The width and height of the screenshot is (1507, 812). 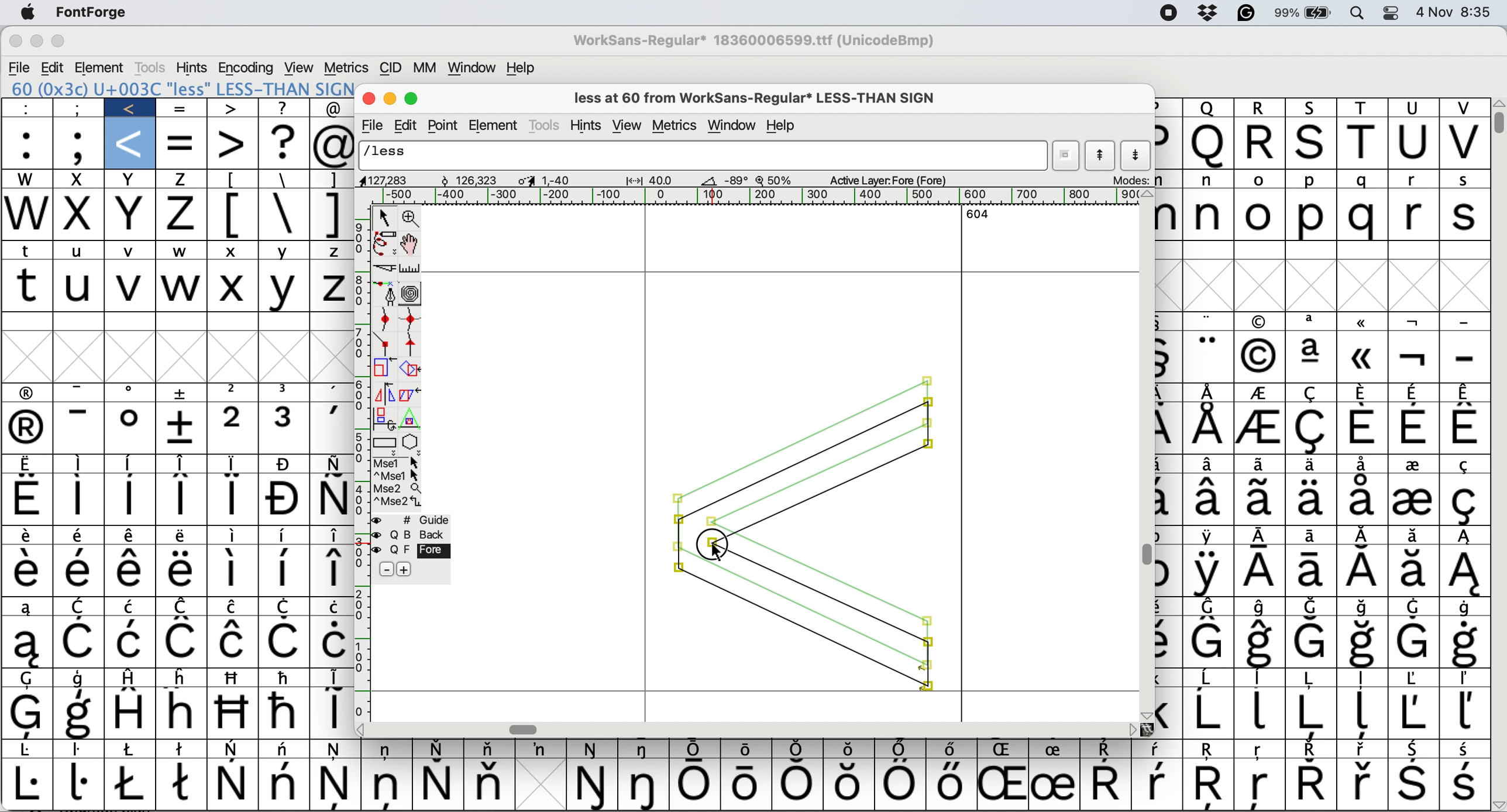 I want to click on Symbol, so click(x=387, y=787).